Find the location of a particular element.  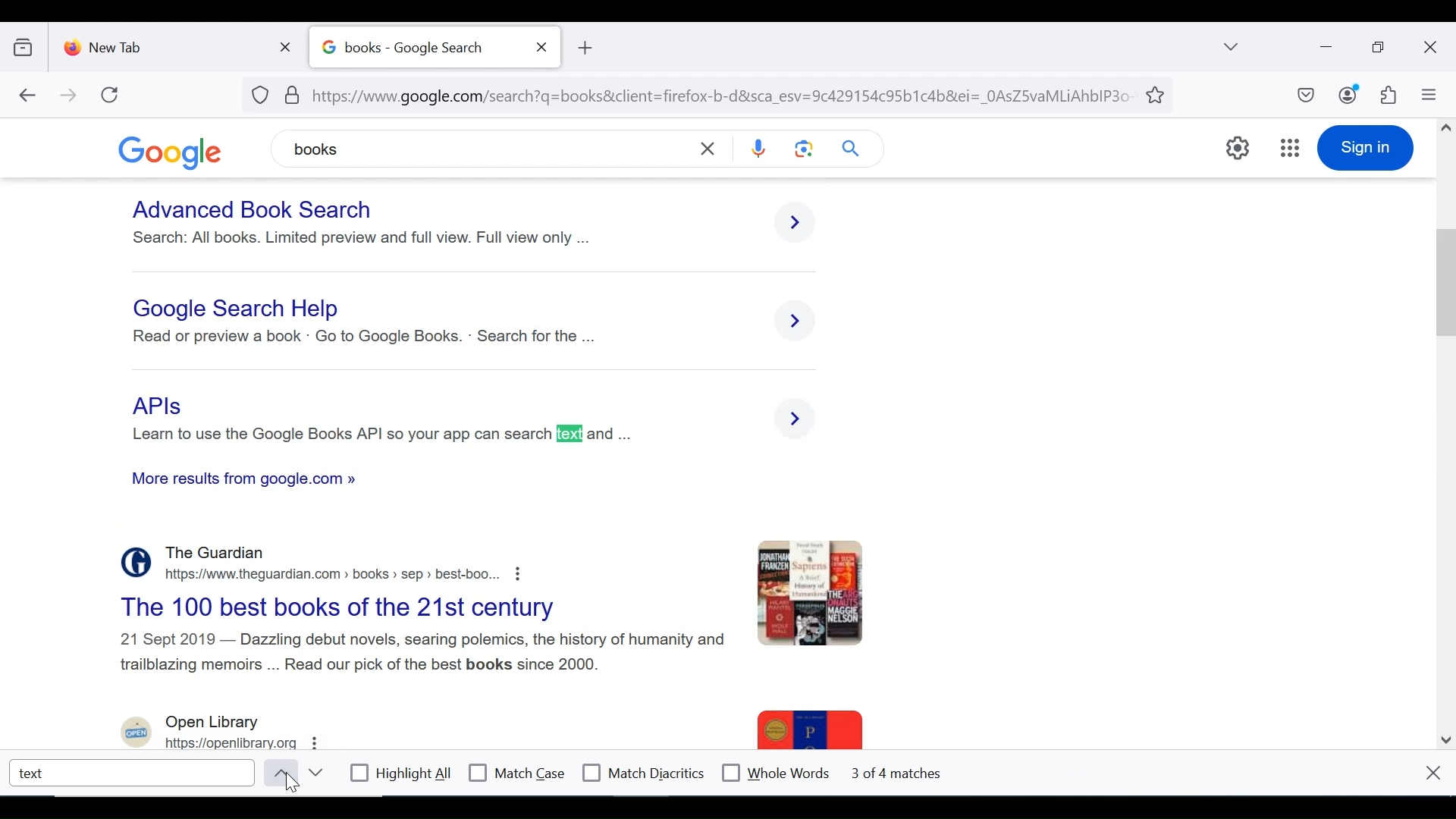

new tab is located at coordinates (163, 44).